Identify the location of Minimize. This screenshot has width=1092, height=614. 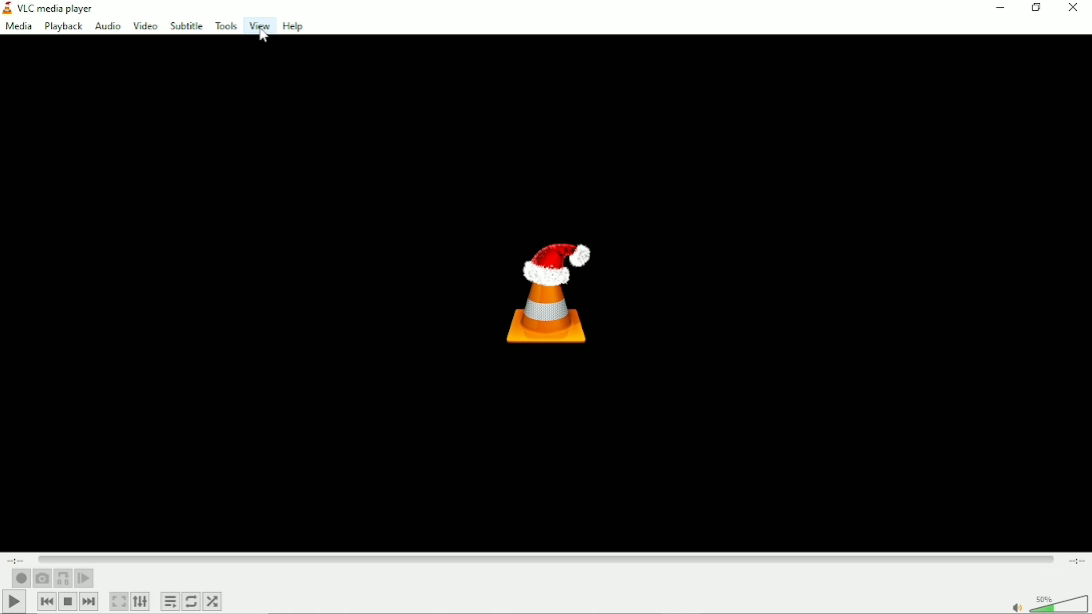
(1001, 8).